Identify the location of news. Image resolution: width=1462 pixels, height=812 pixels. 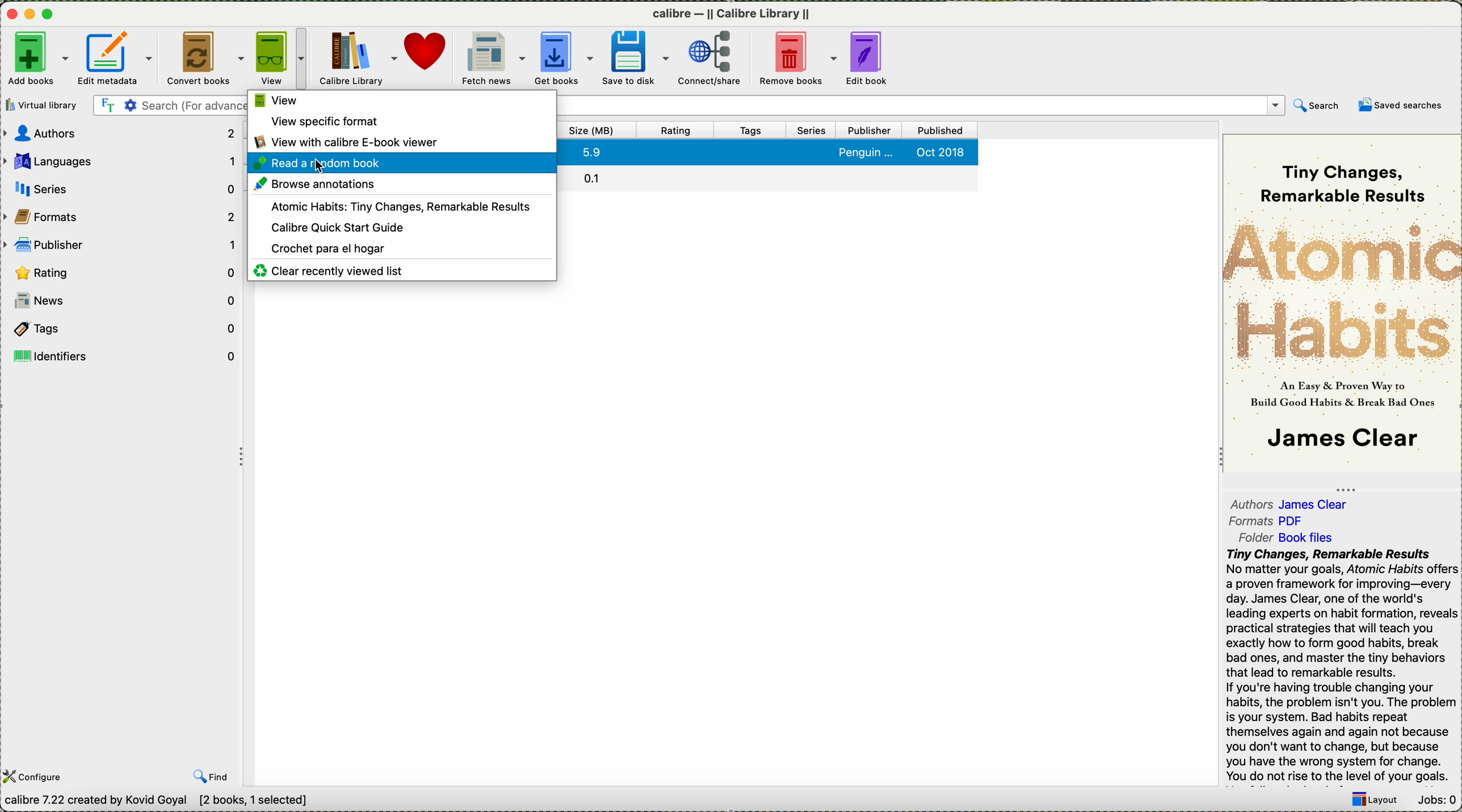
(125, 301).